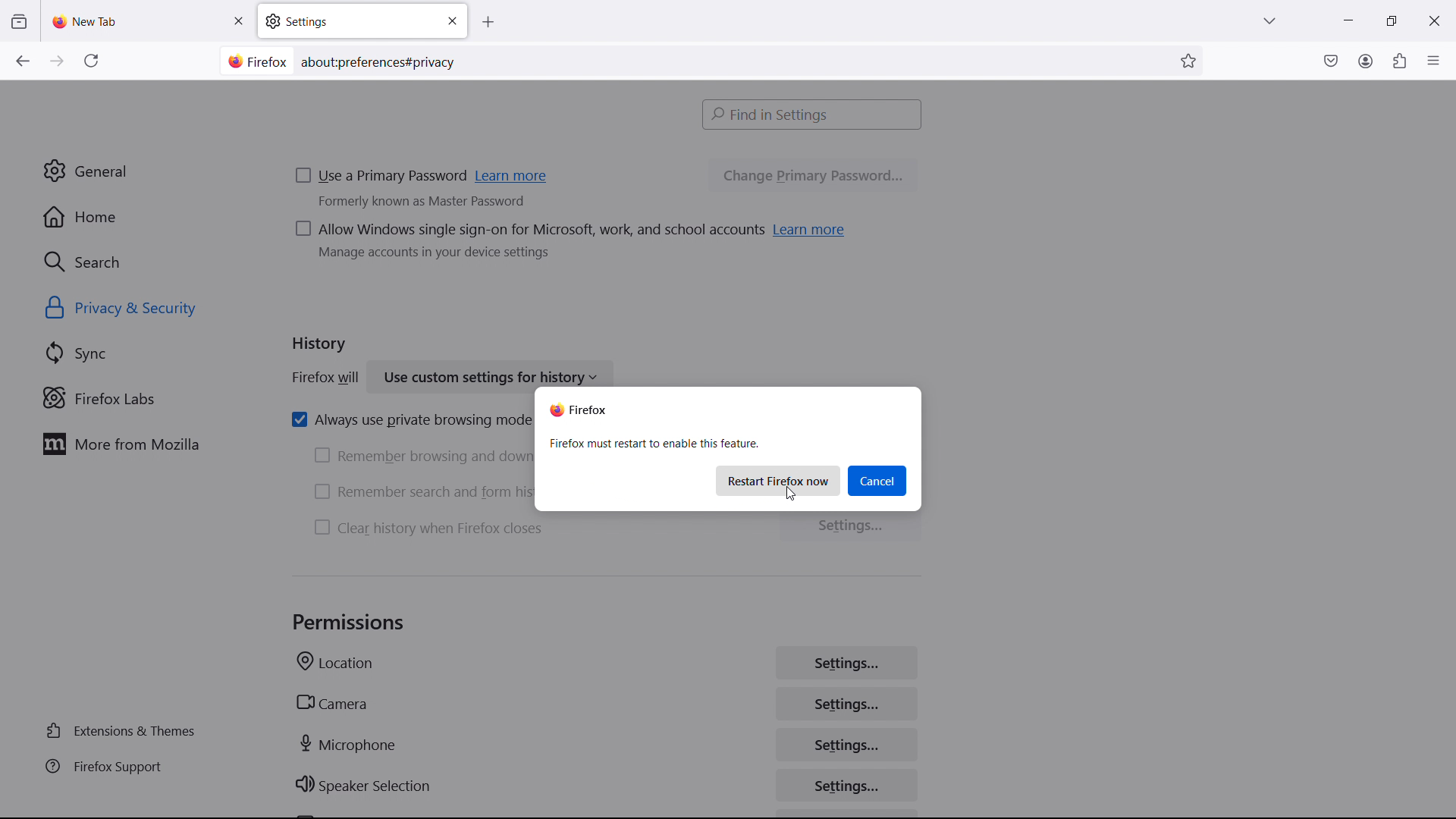  Describe the element at coordinates (143, 171) in the screenshot. I see `general` at that location.